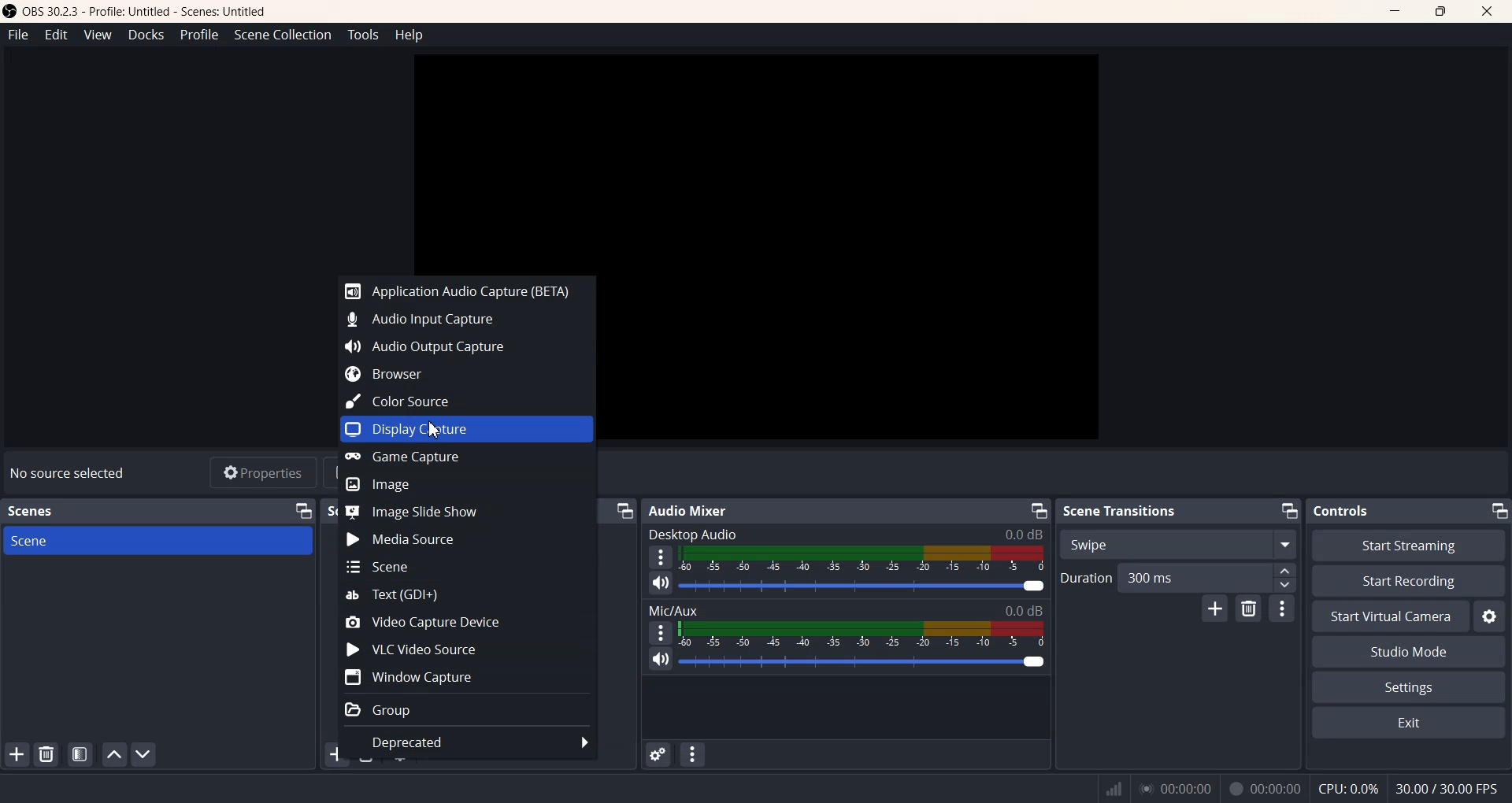  Describe the element at coordinates (1497, 510) in the screenshot. I see `Minimize` at that location.